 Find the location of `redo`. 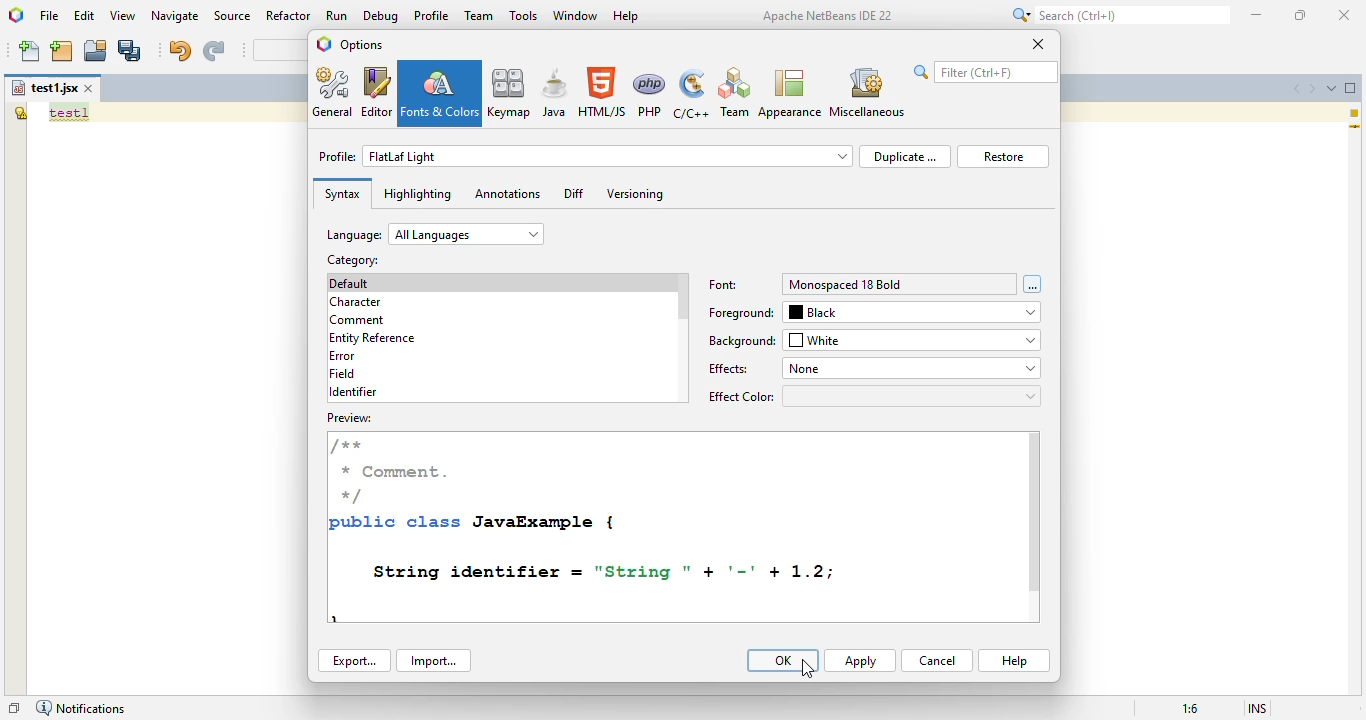

redo is located at coordinates (213, 51).